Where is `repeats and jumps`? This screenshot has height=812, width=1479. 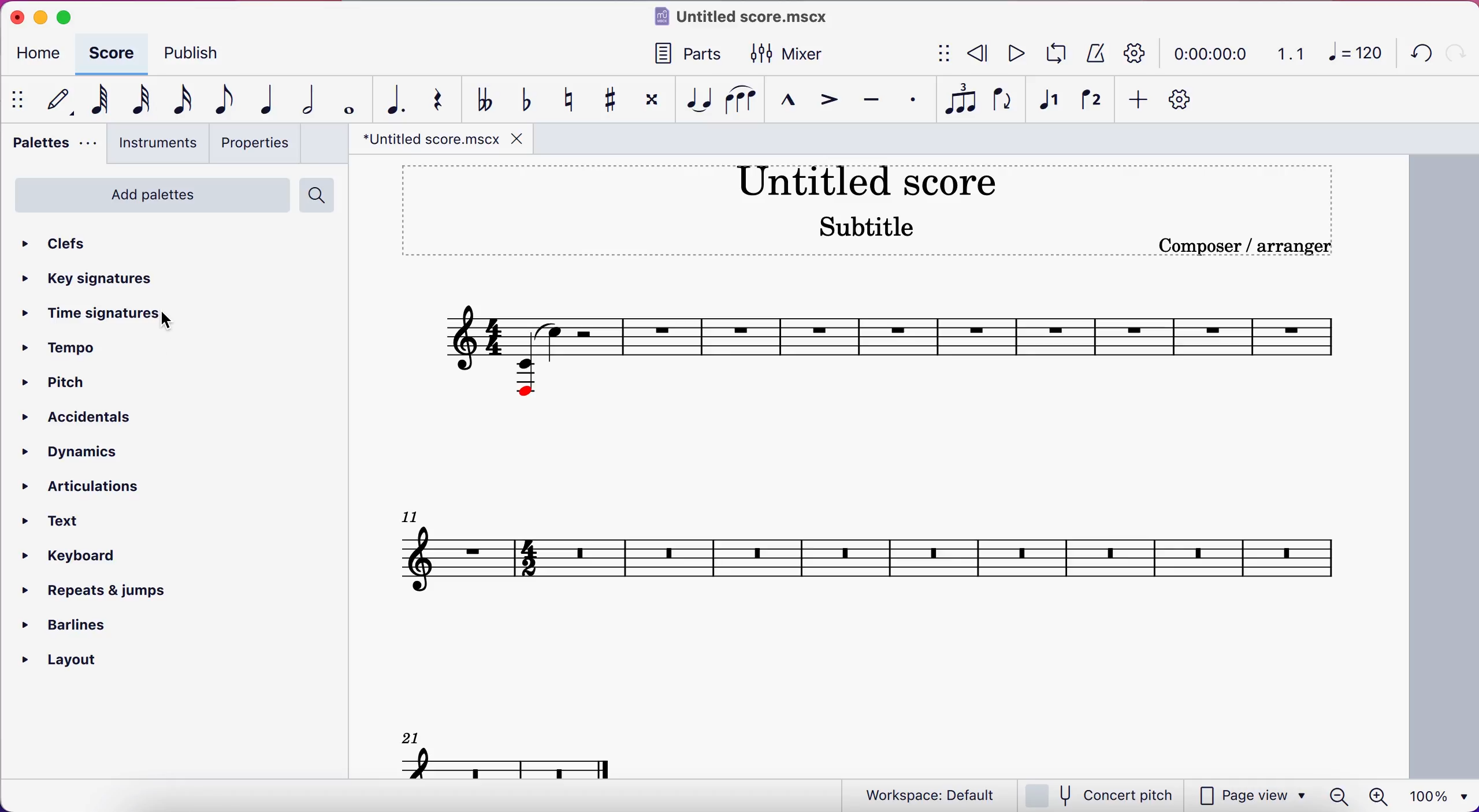 repeats and jumps is located at coordinates (94, 590).